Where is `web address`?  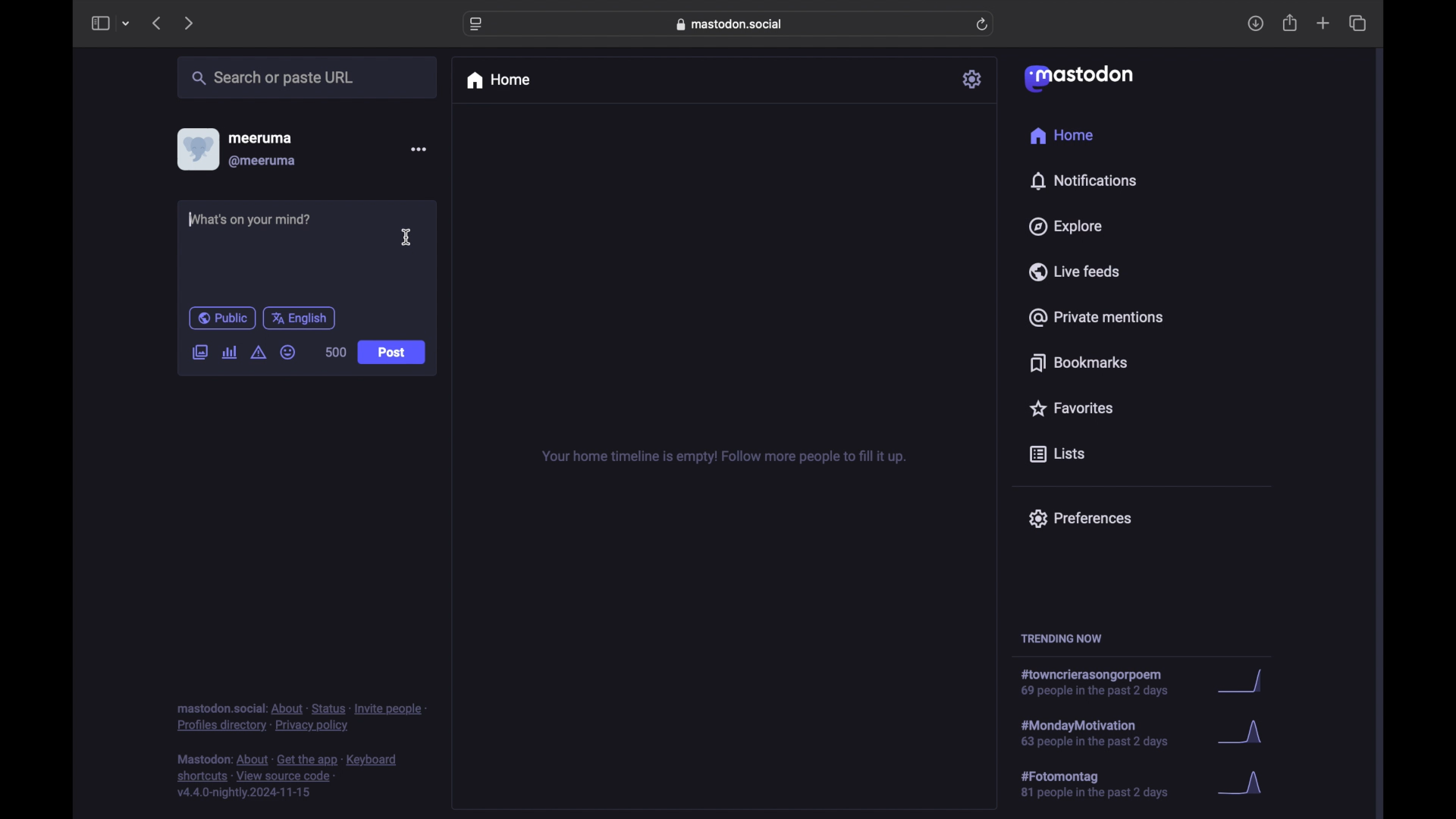
web address is located at coordinates (733, 24).